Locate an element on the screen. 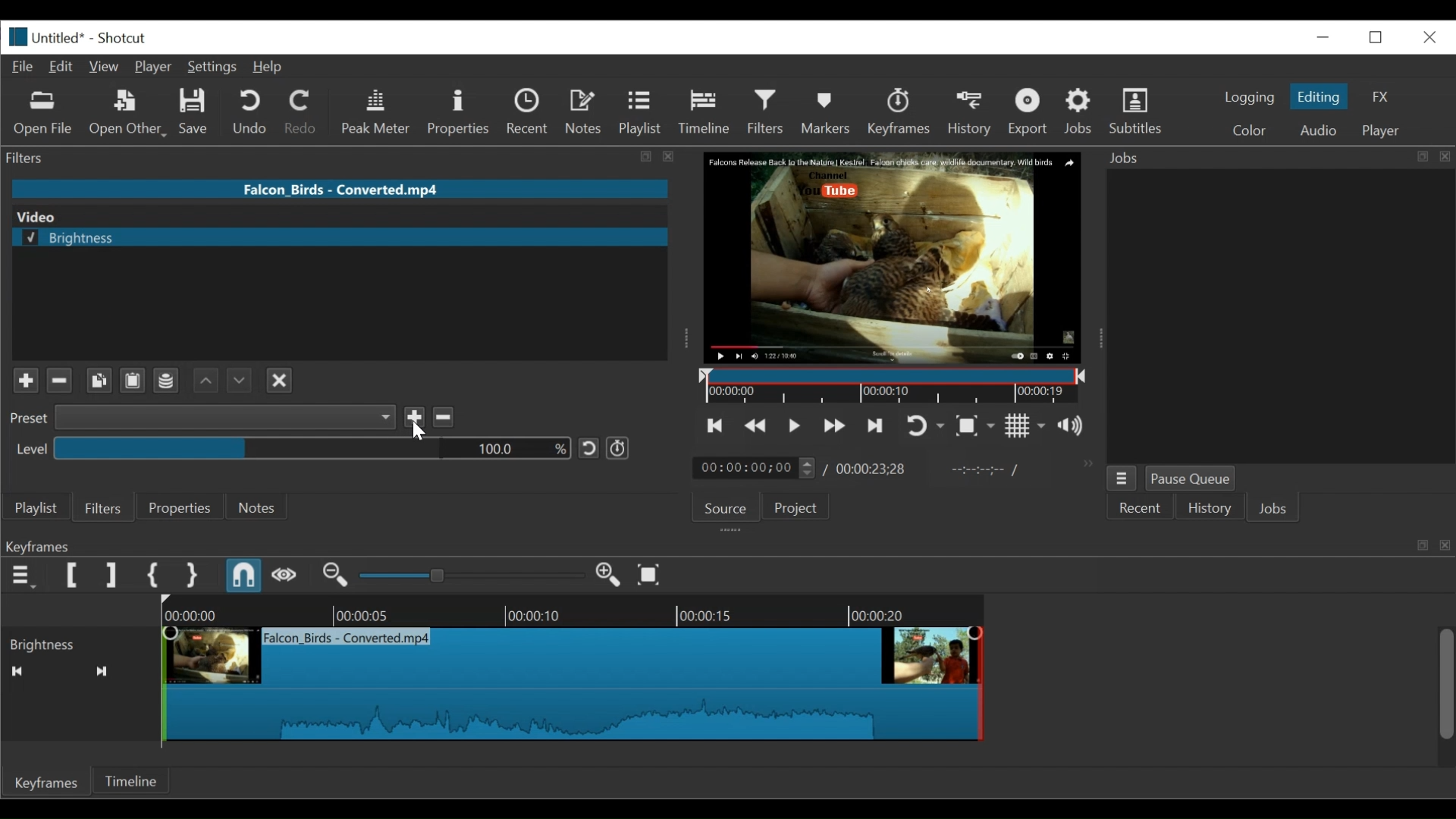 The image size is (1456, 819). Video is located at coordinates (331, 216).